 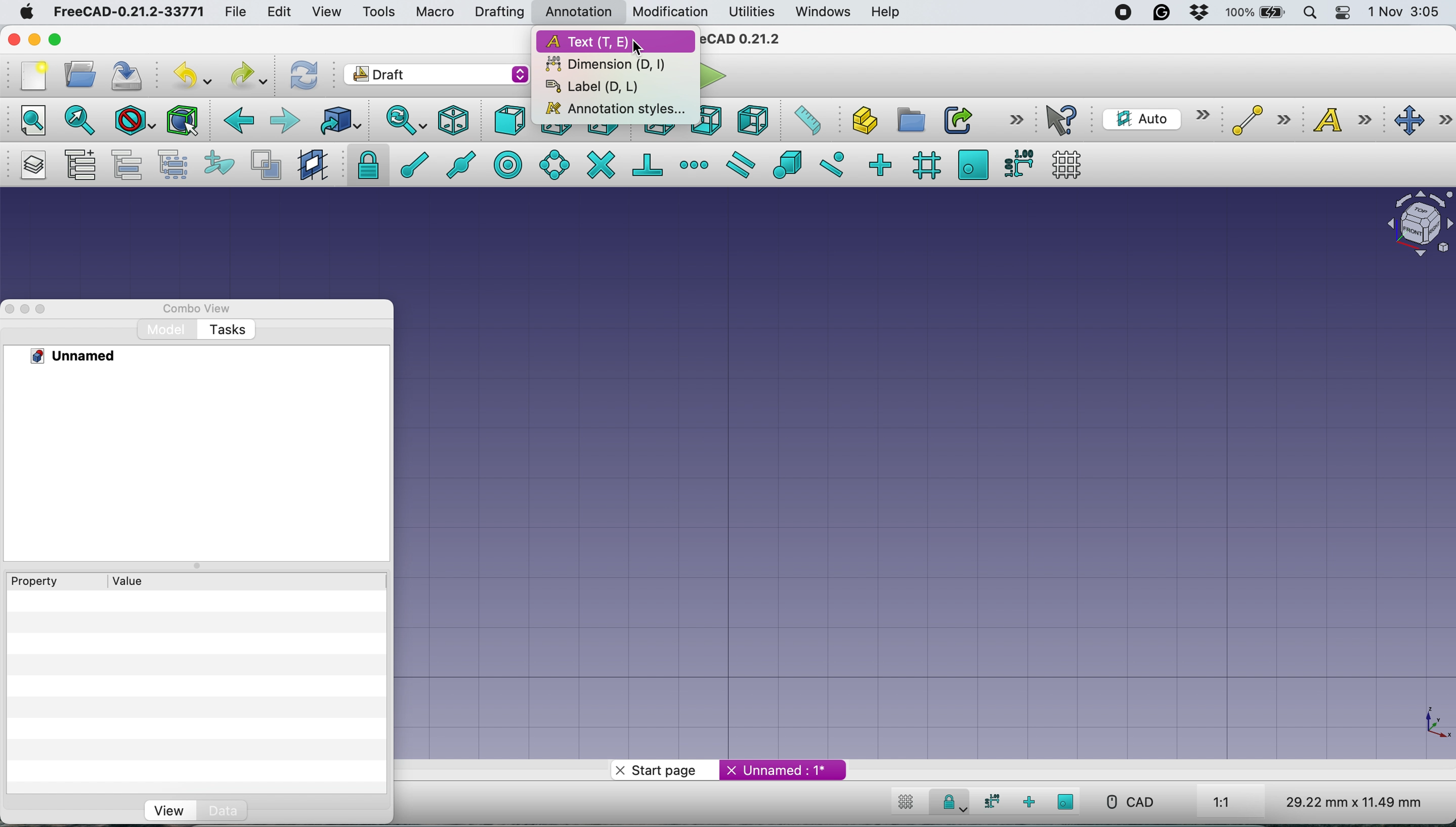 I want to click on sync view, so click(x=405, y=120).